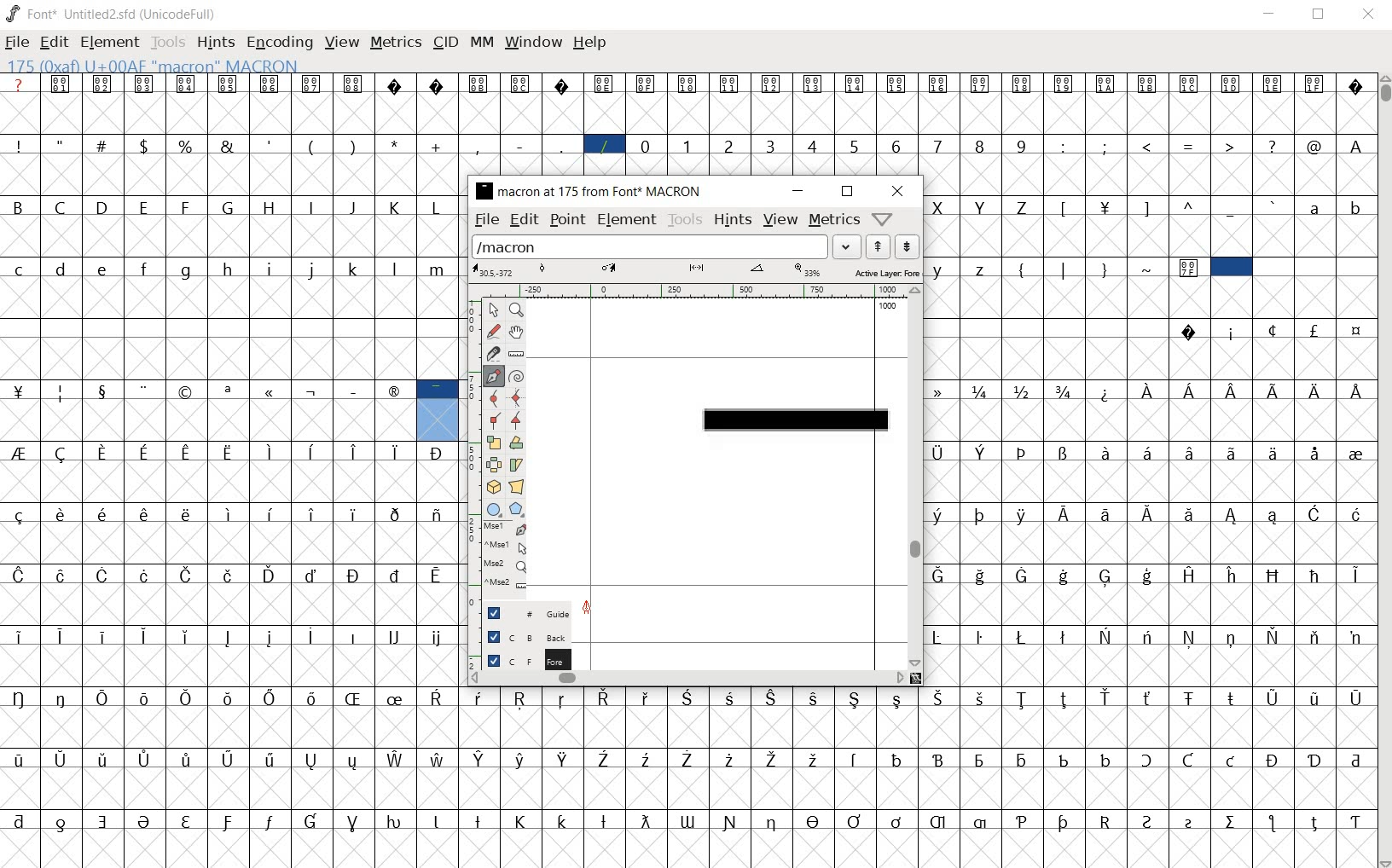 This screenshot has height=868, width=1392. I want to click on *, so click(396, 144).